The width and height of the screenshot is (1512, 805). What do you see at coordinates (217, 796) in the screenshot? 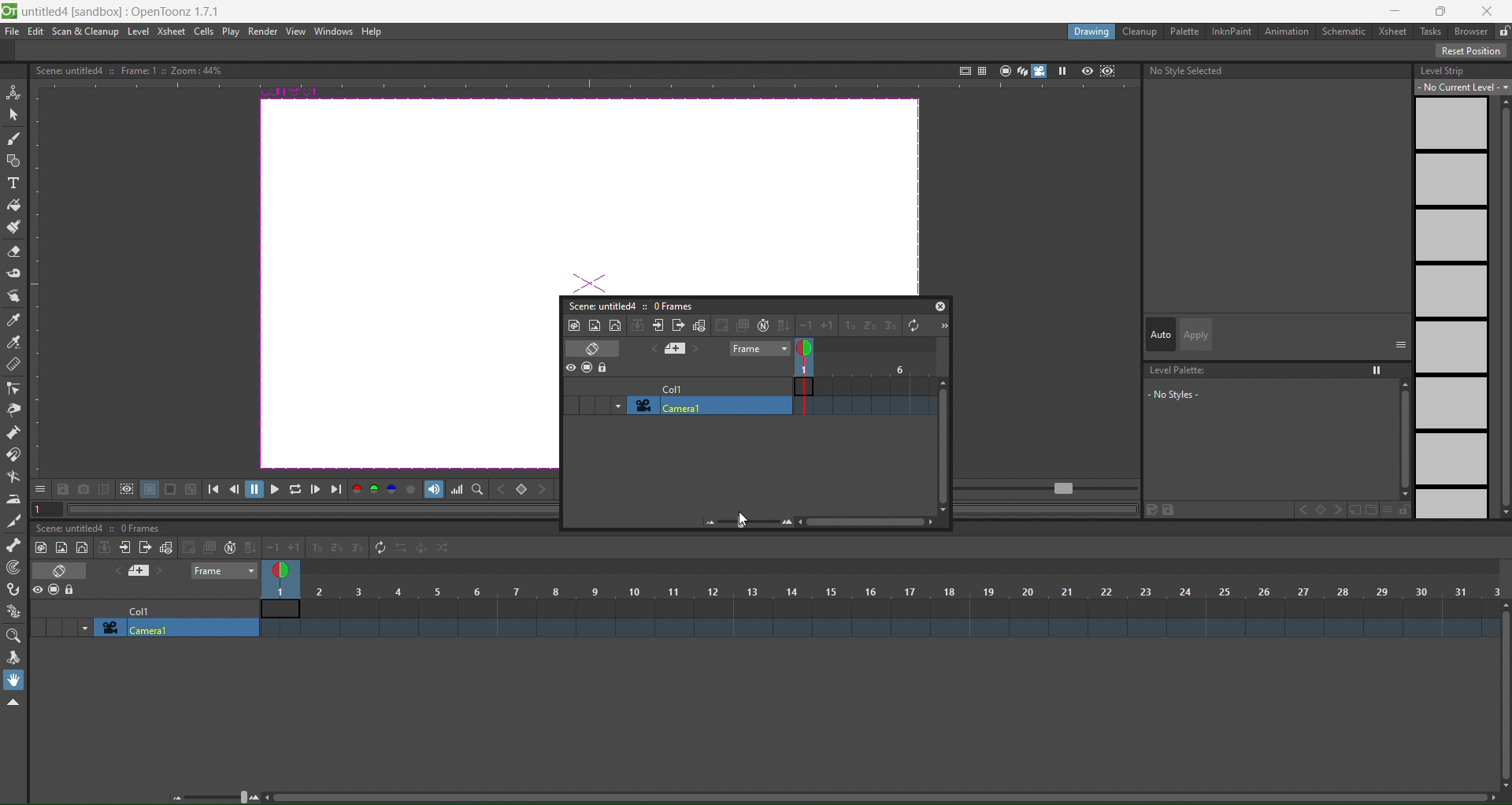
I see `zoom ` at bounding box center [217, 796].